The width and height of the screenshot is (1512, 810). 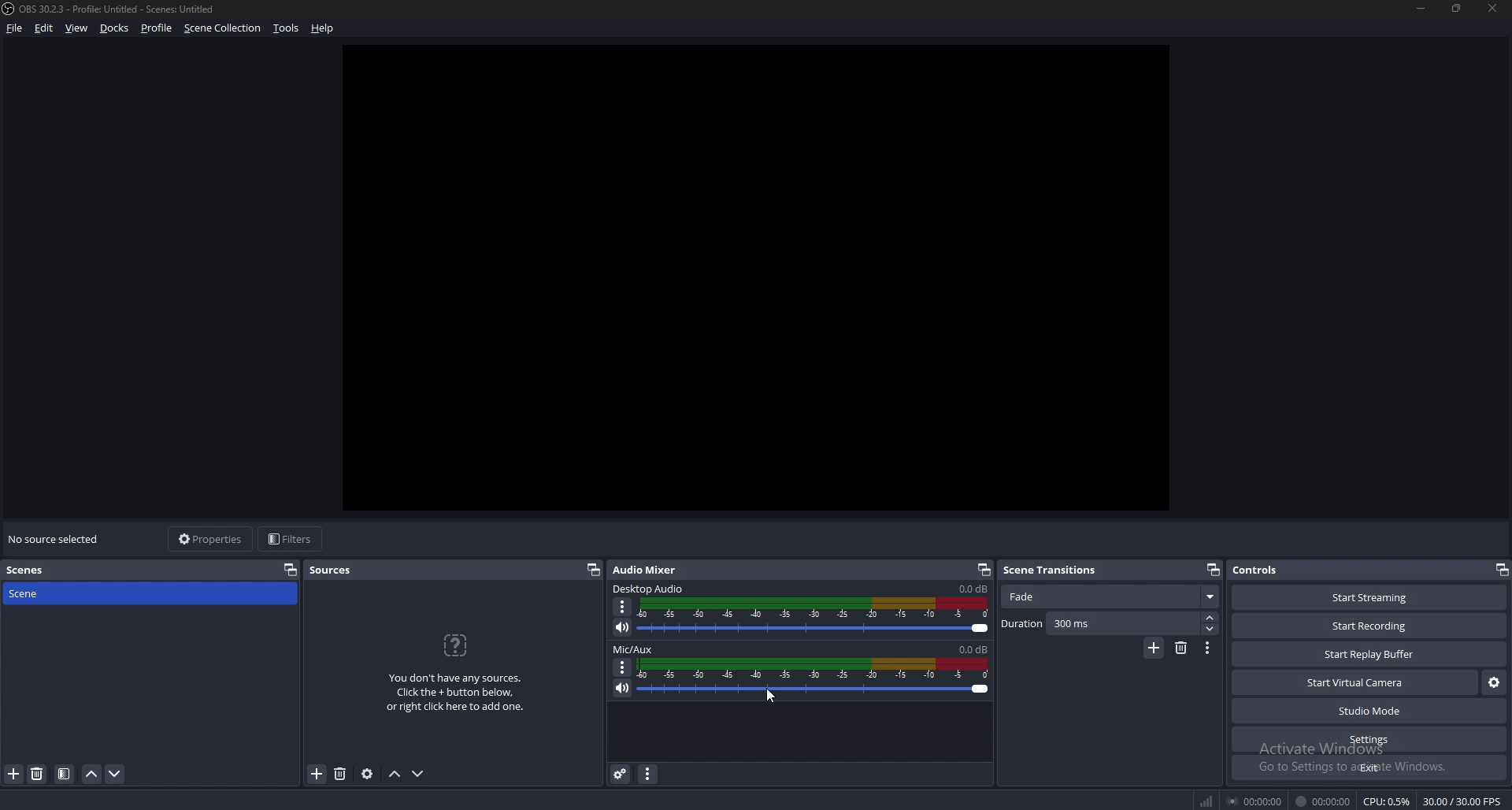 I want to click on minimize, so click(x=1420, y=9).